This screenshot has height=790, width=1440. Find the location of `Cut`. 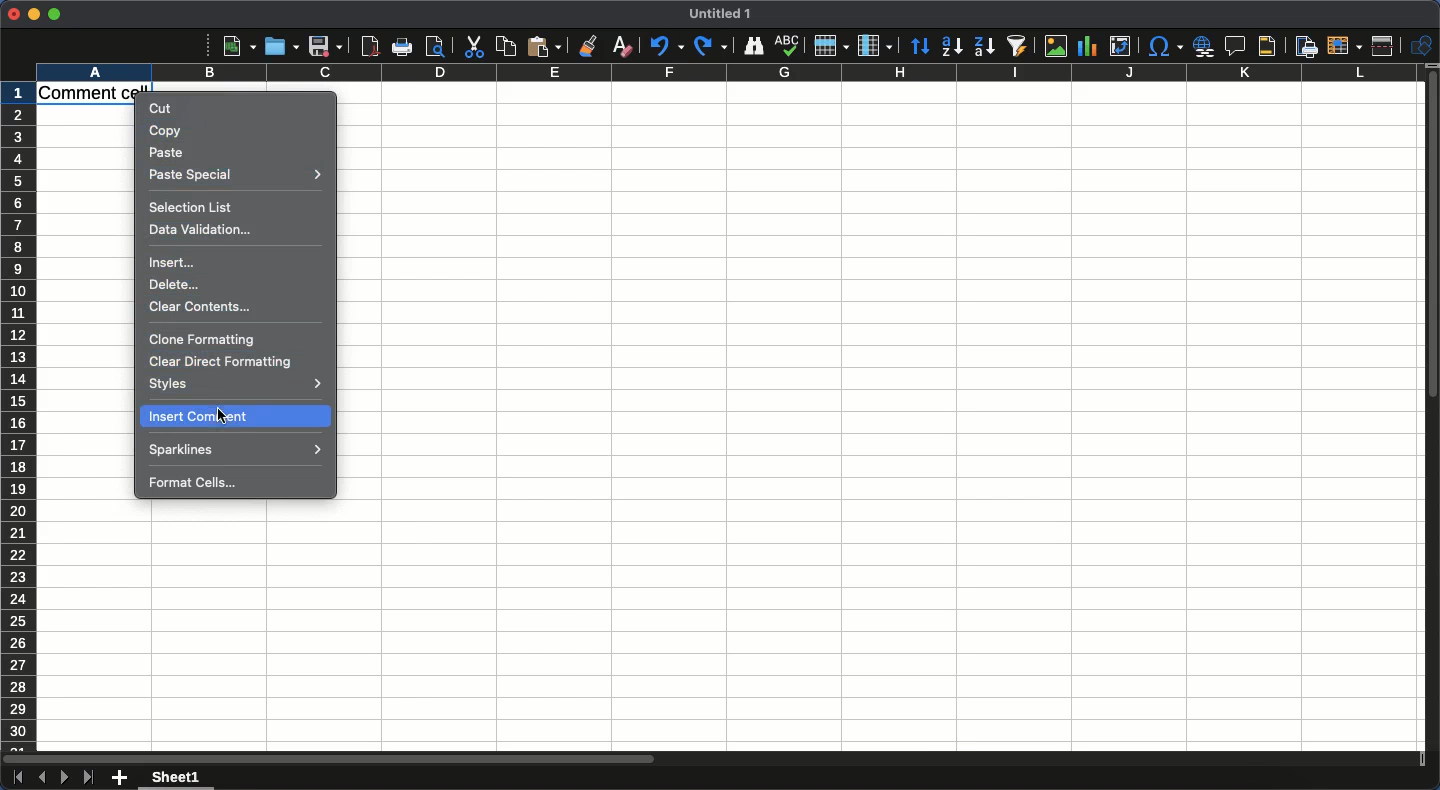

Cut is located at coordinates (169, 106).